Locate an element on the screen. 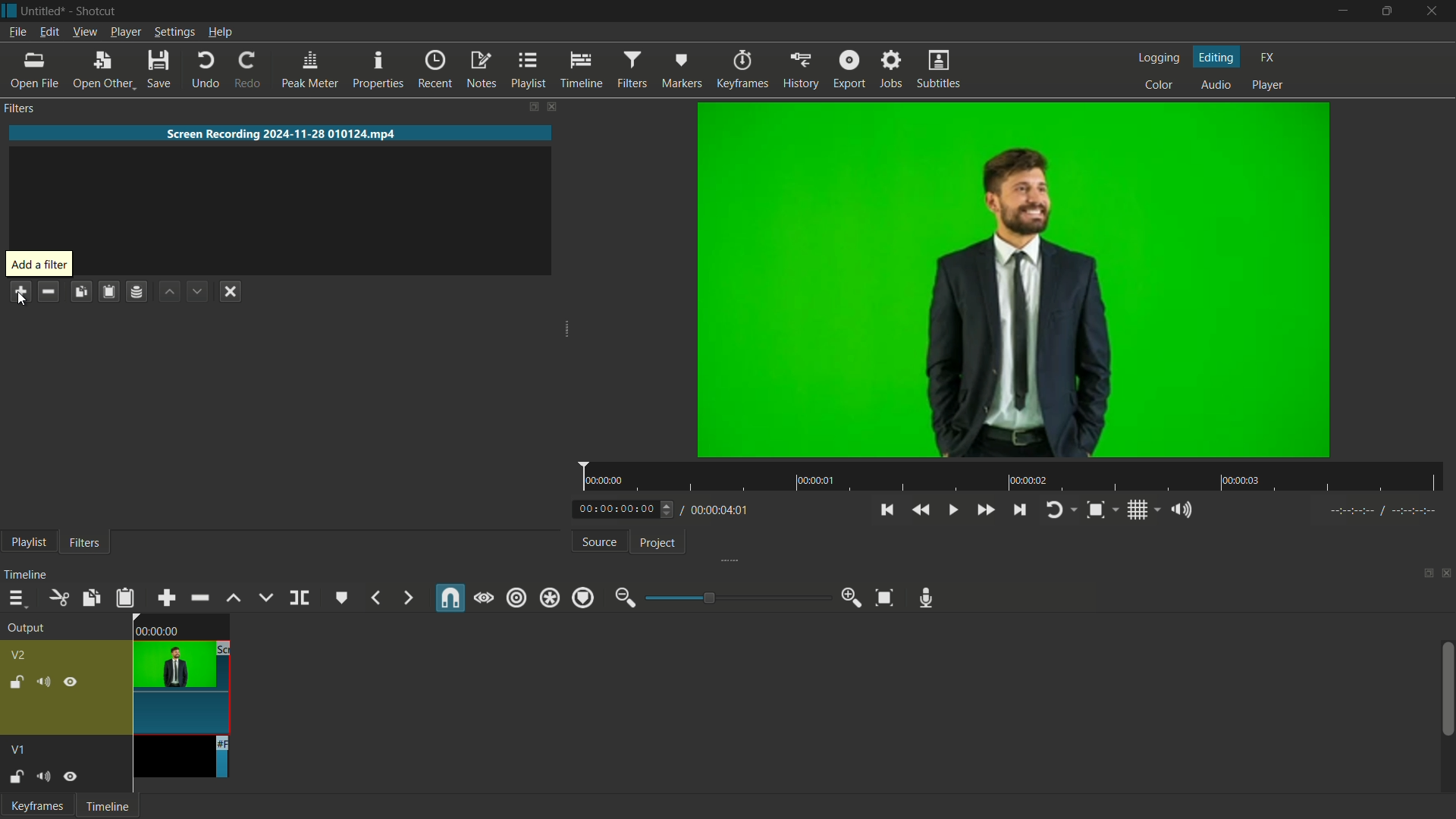 This screenshot has width=1456, height=819. hide is located at coordinates (71, 682).